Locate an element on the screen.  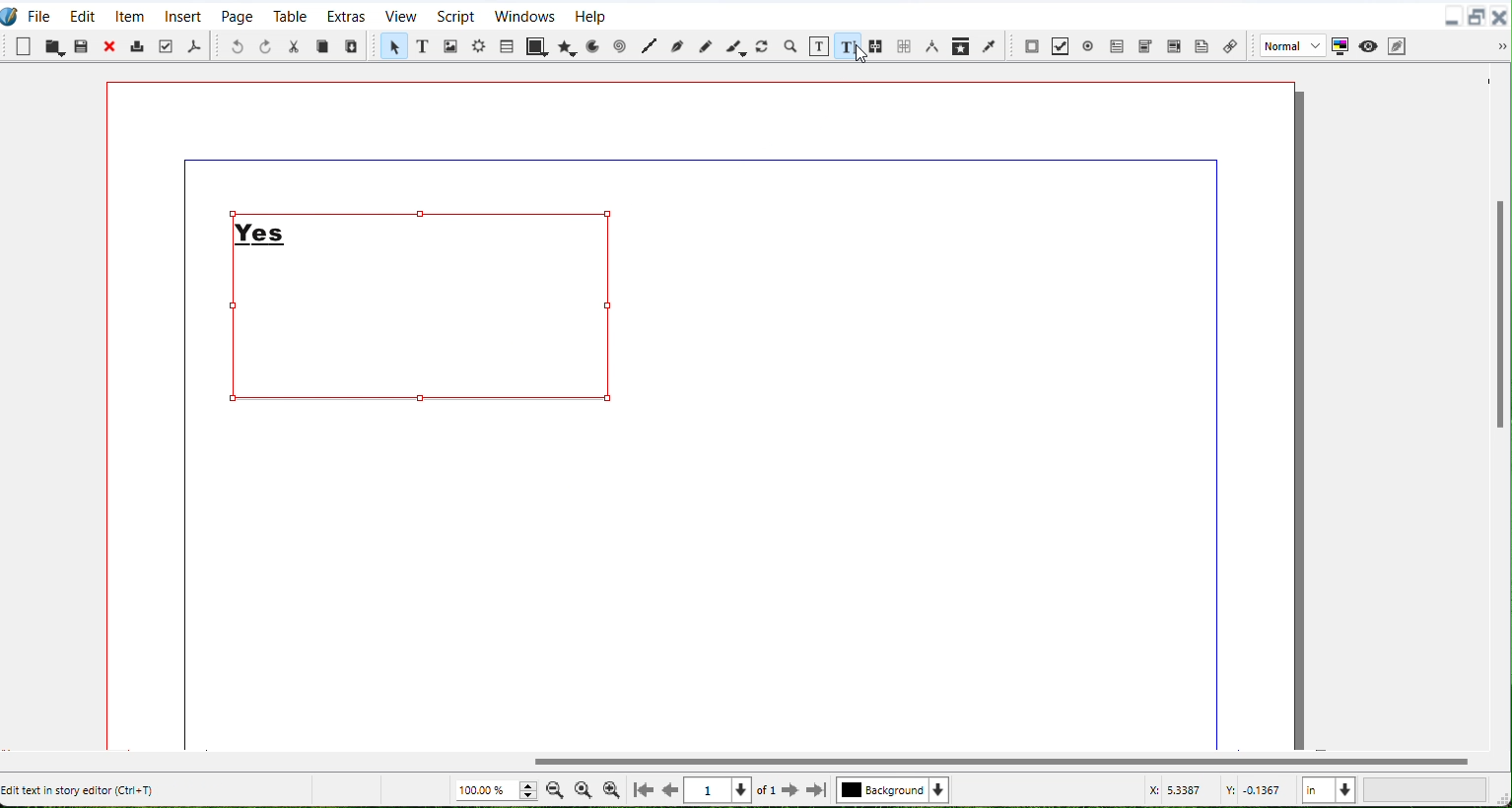
Copy item Properties is located at coordinates (962, 45).